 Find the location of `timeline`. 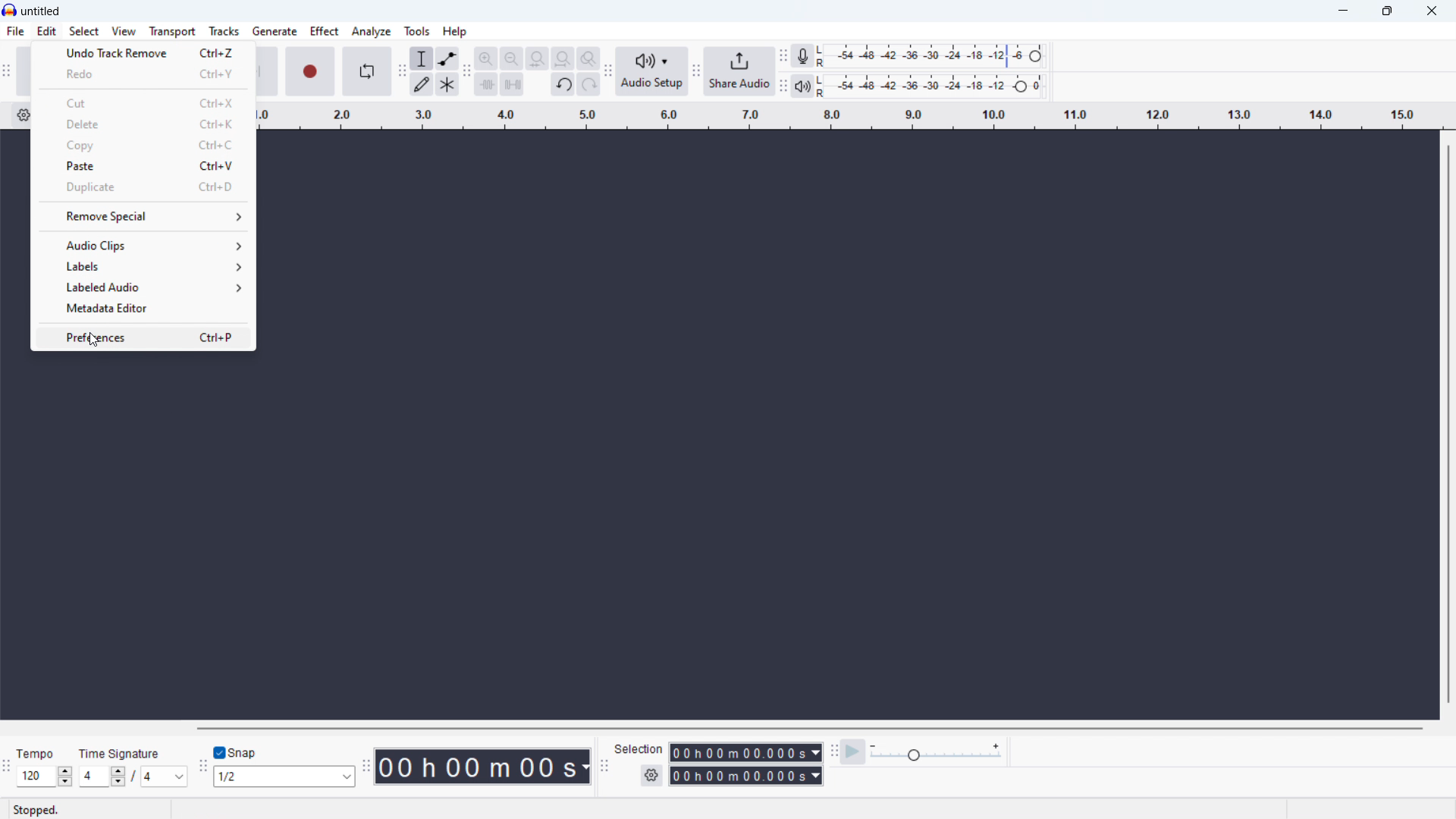

timeline is located at coordinates (849, 115).